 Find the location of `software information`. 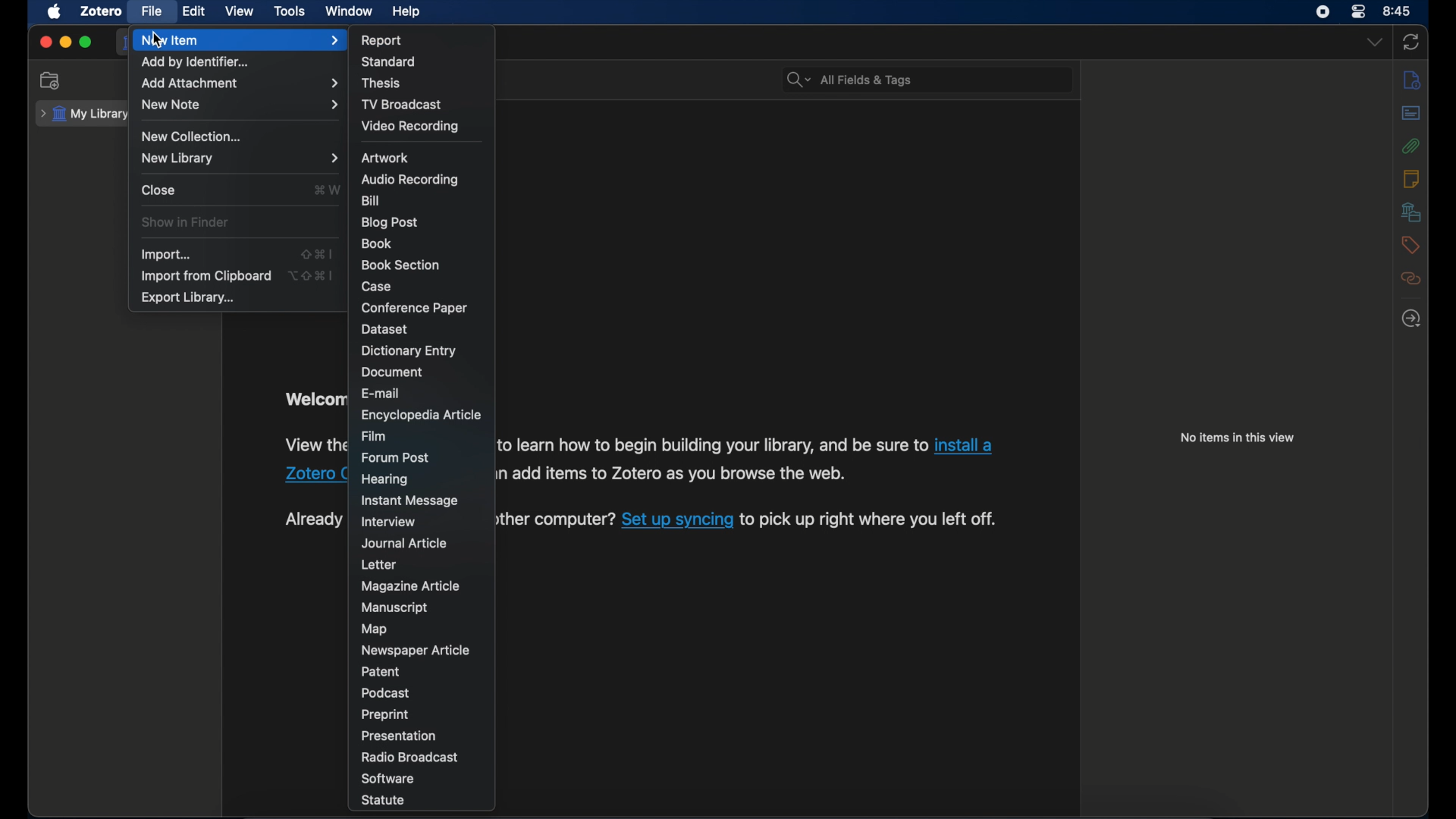

software information is located at coordinates (873, 520).